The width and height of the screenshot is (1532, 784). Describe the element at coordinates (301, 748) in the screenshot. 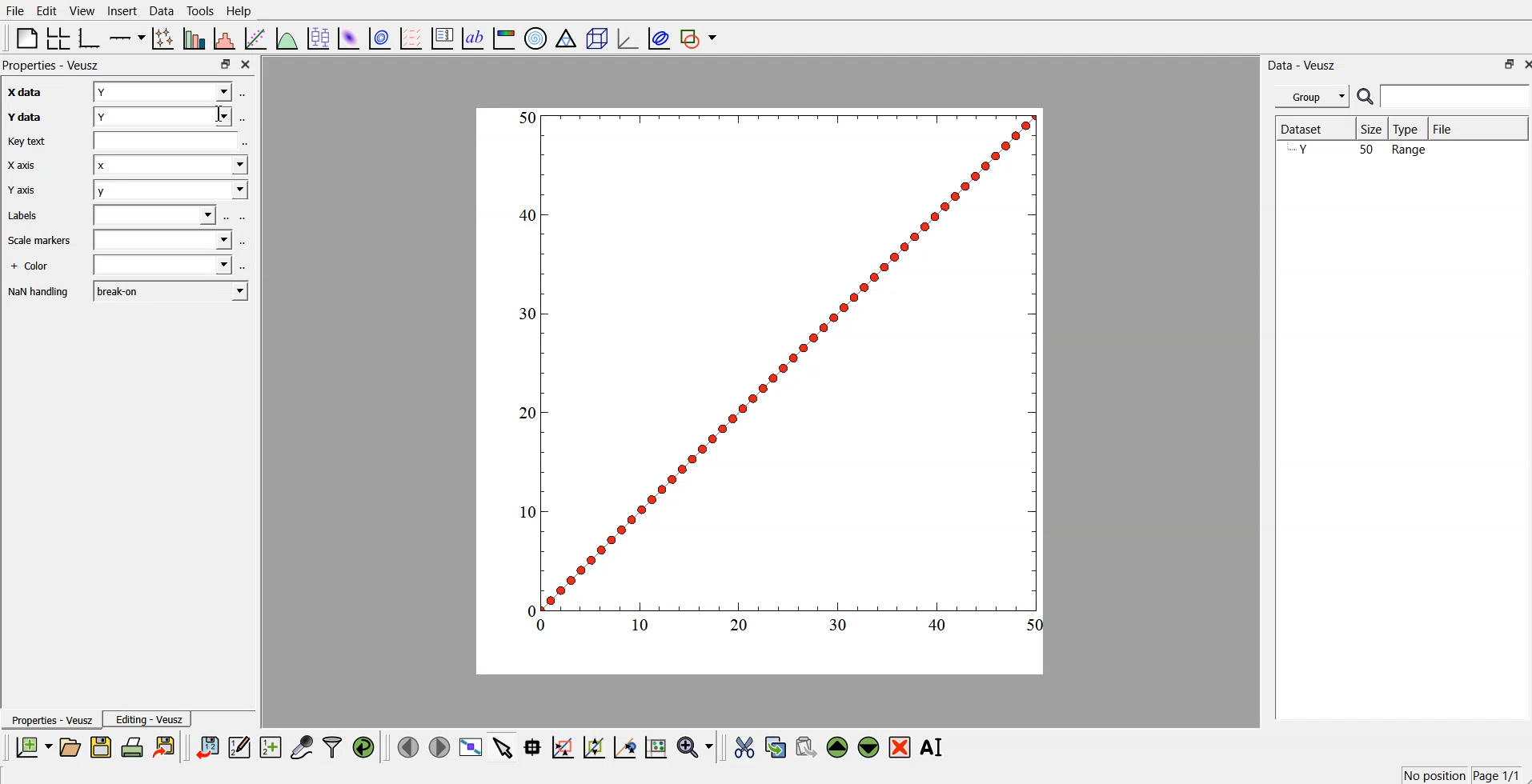

I see `capture remote data` at that location.